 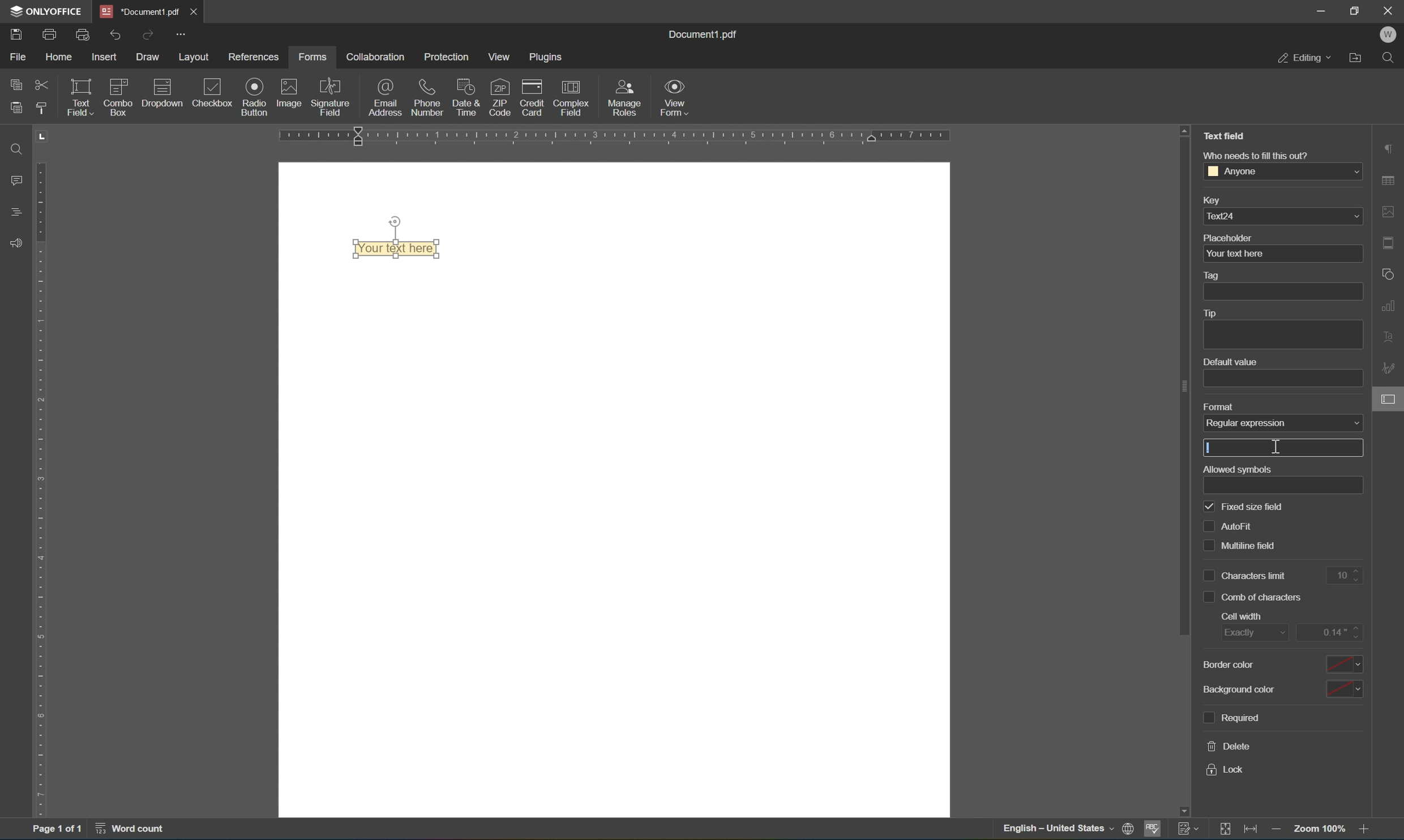 What do you see at coordinates (1368, 830) in the screenshot?
I see `zoom in` at bounding box center [1368, 830].